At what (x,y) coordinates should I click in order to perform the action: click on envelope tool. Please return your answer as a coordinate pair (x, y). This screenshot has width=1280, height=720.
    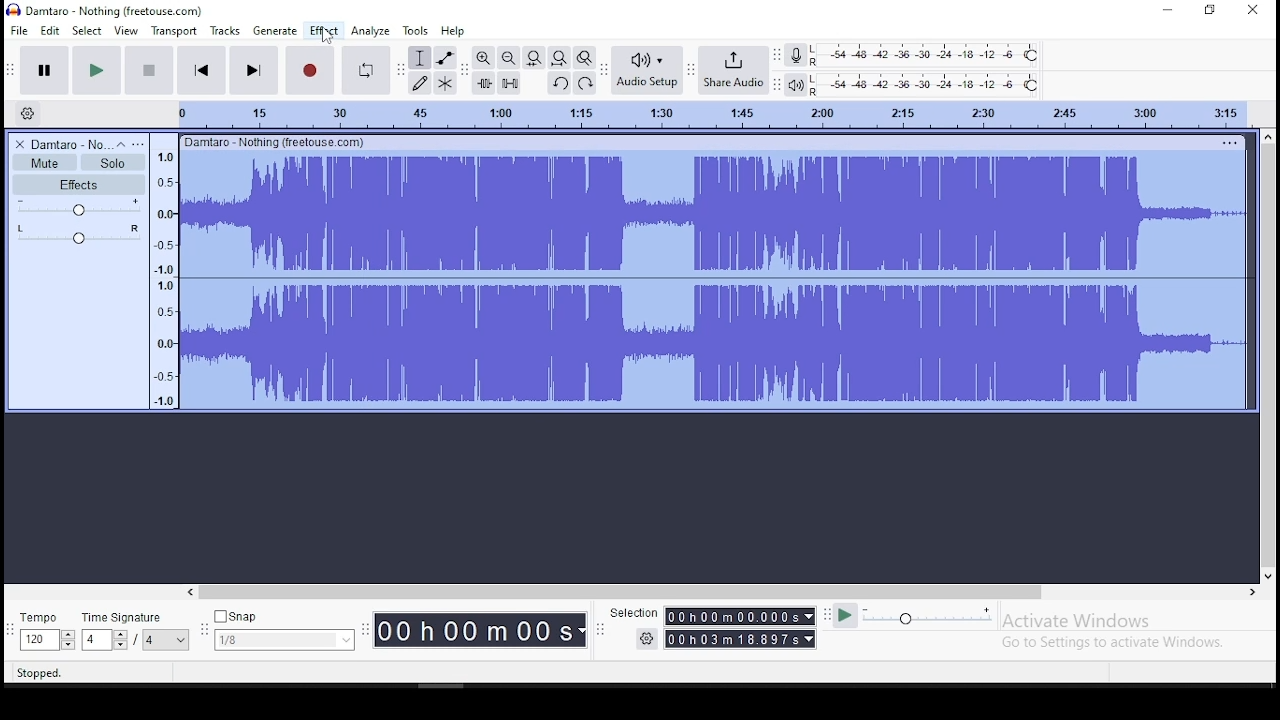
    Looking at the image, I should click on (444, 57).